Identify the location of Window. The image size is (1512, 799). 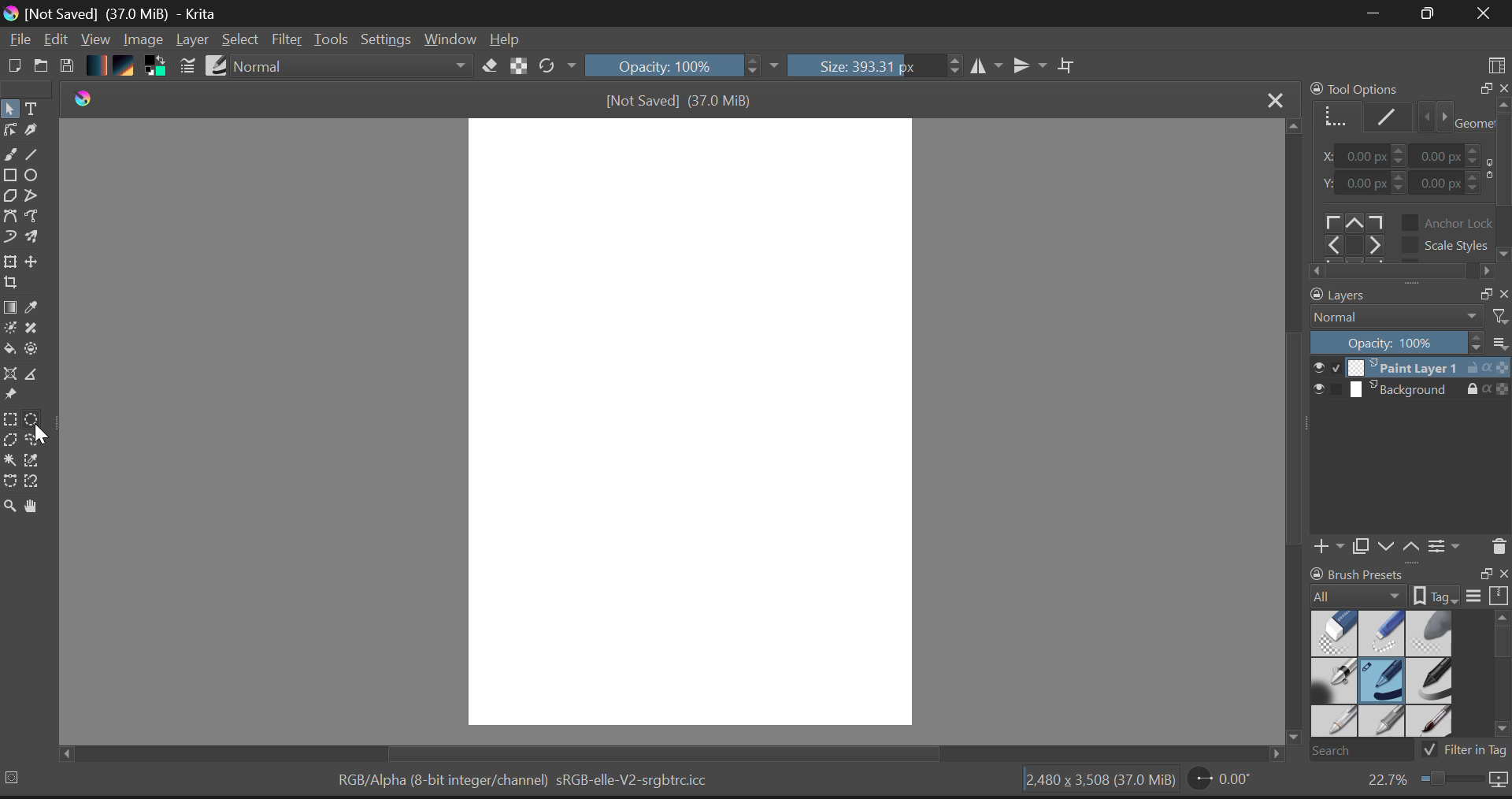
(449, 39).